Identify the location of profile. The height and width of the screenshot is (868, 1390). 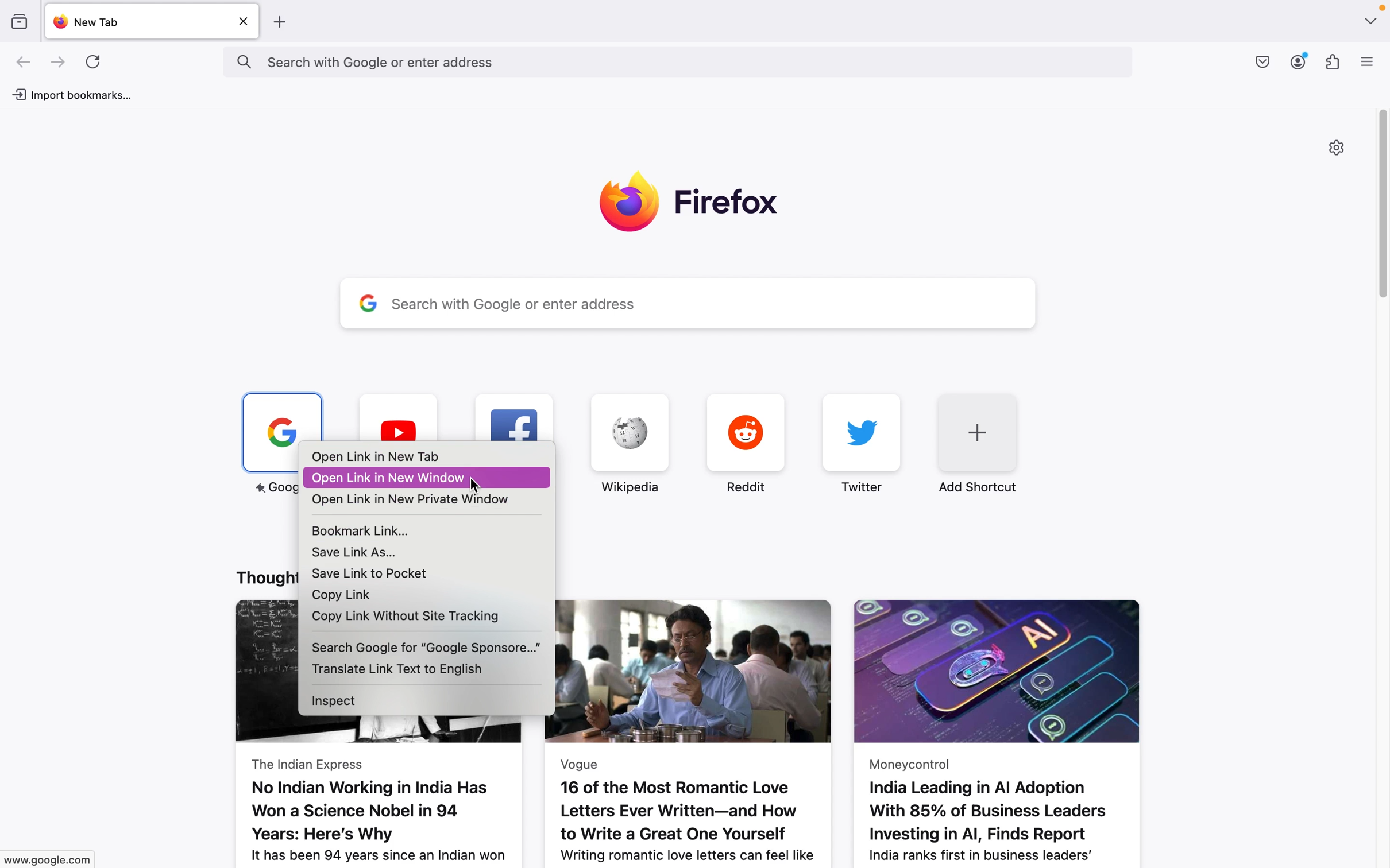
(1299, 62).